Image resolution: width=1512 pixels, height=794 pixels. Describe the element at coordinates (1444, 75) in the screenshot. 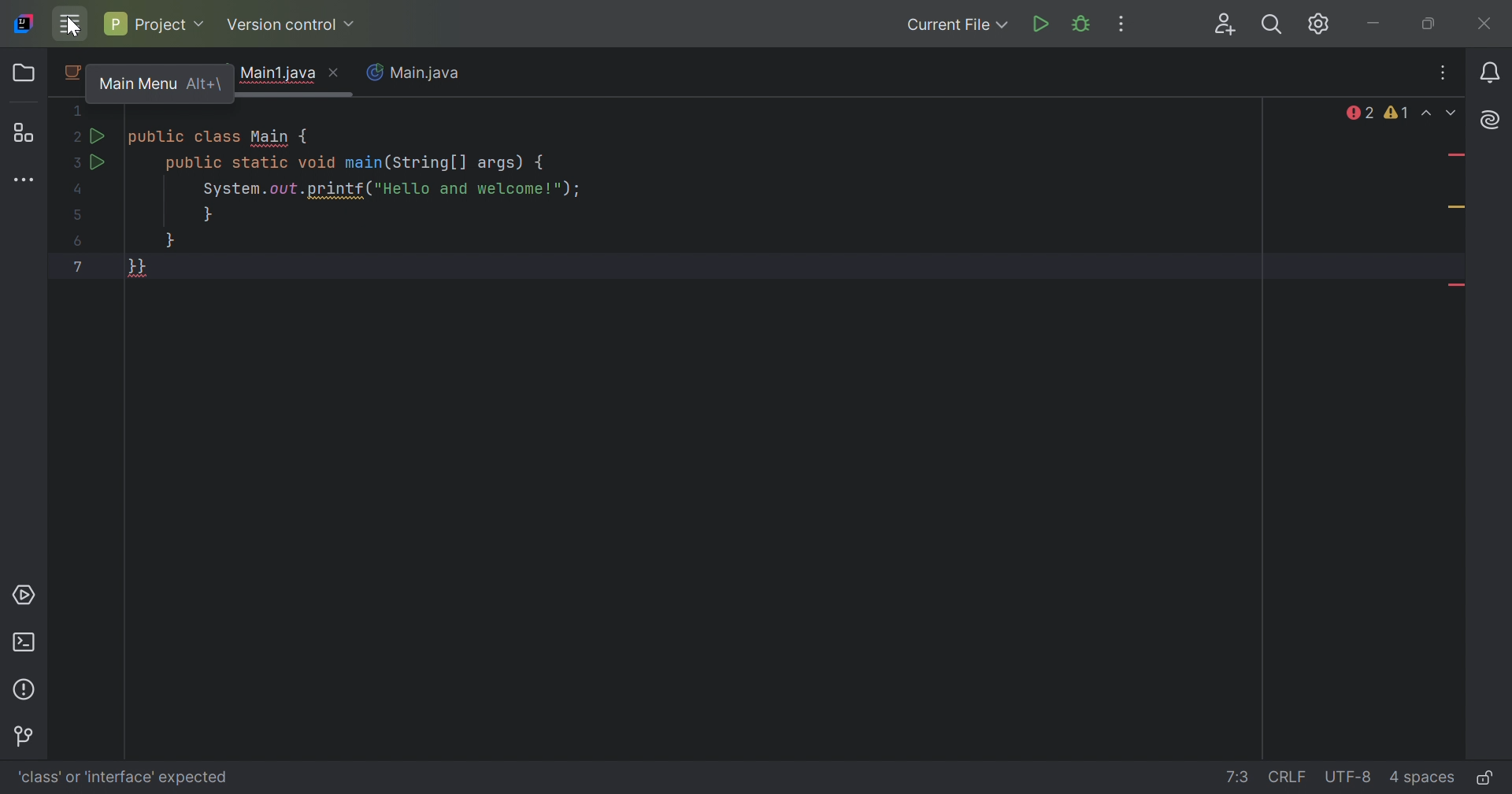

I see `Recent Files, tab Action, and More` at that location.